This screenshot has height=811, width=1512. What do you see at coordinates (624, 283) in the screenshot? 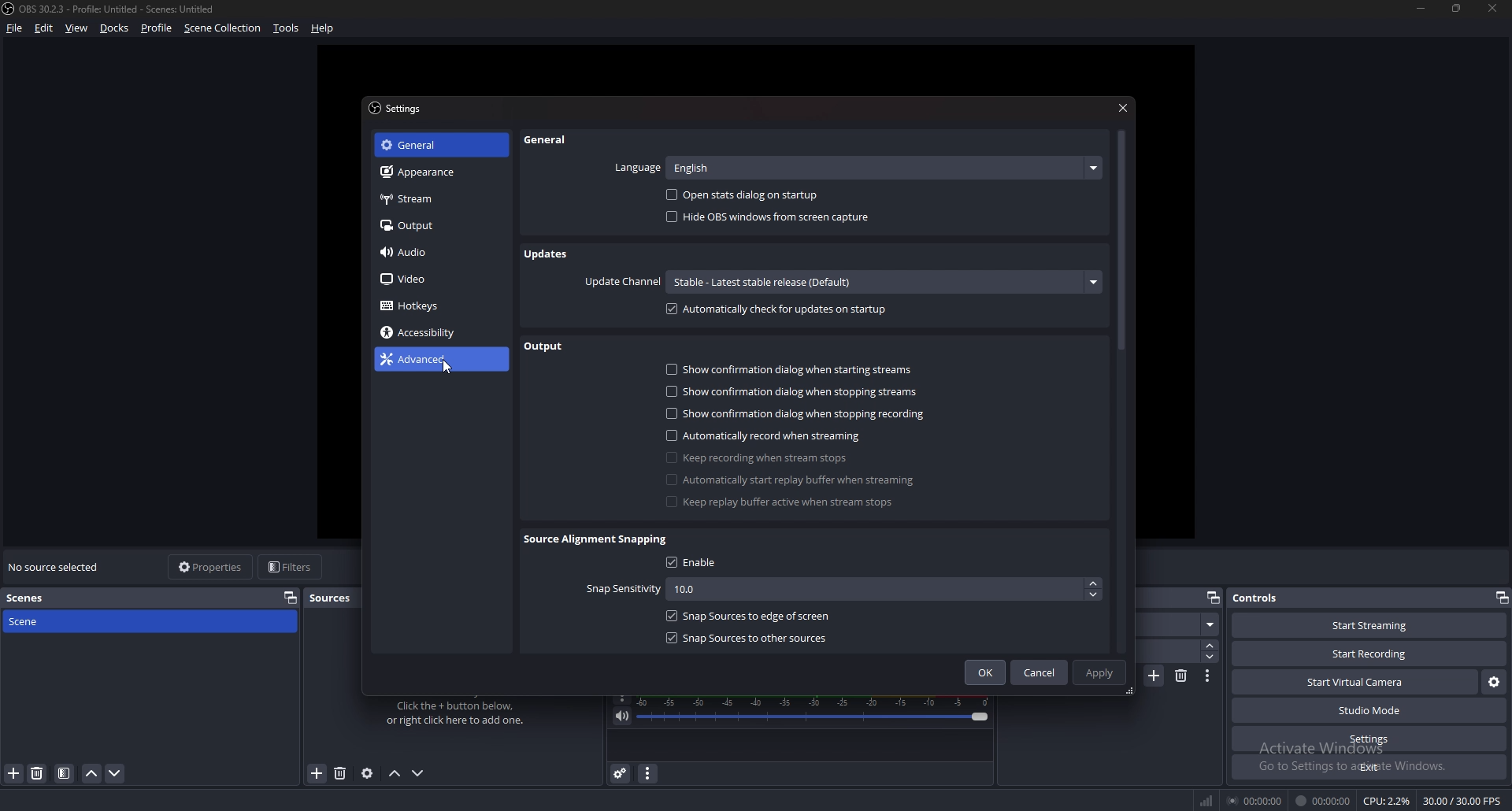
I see `Update channel` at bounding box center [624, 283].